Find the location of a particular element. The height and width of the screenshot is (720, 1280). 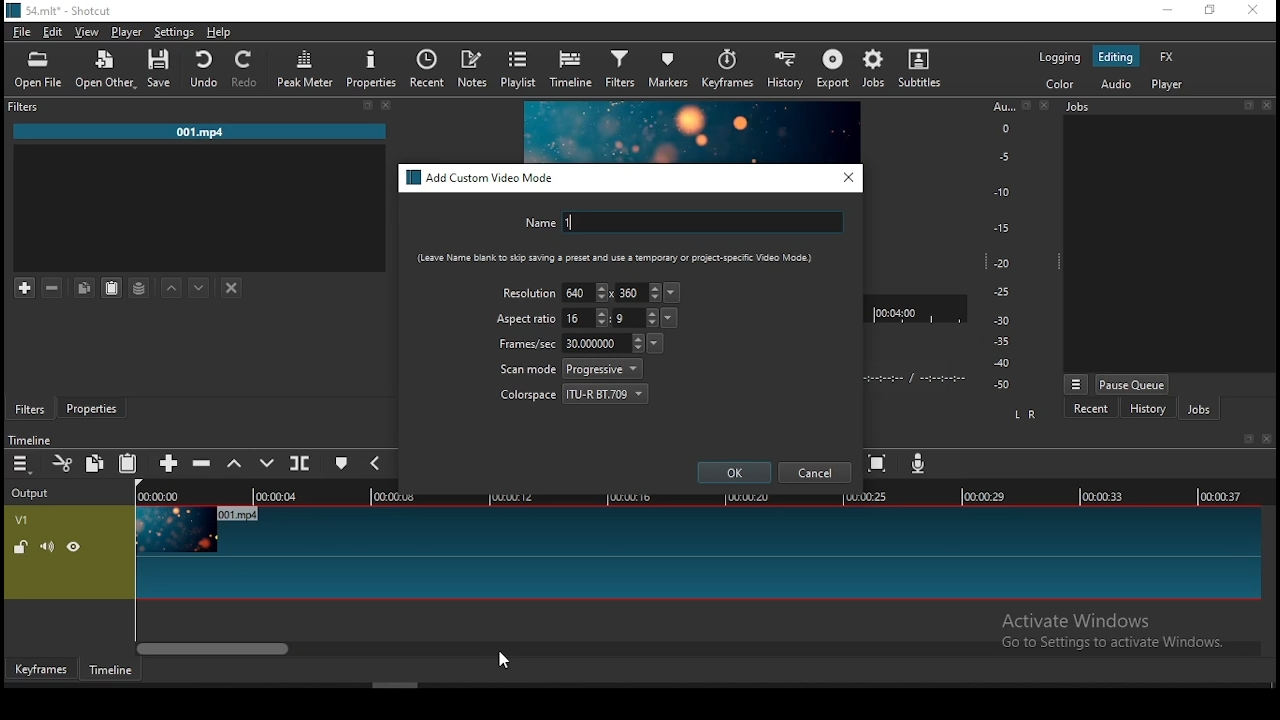

add filter is located at coordinates (25, 289).